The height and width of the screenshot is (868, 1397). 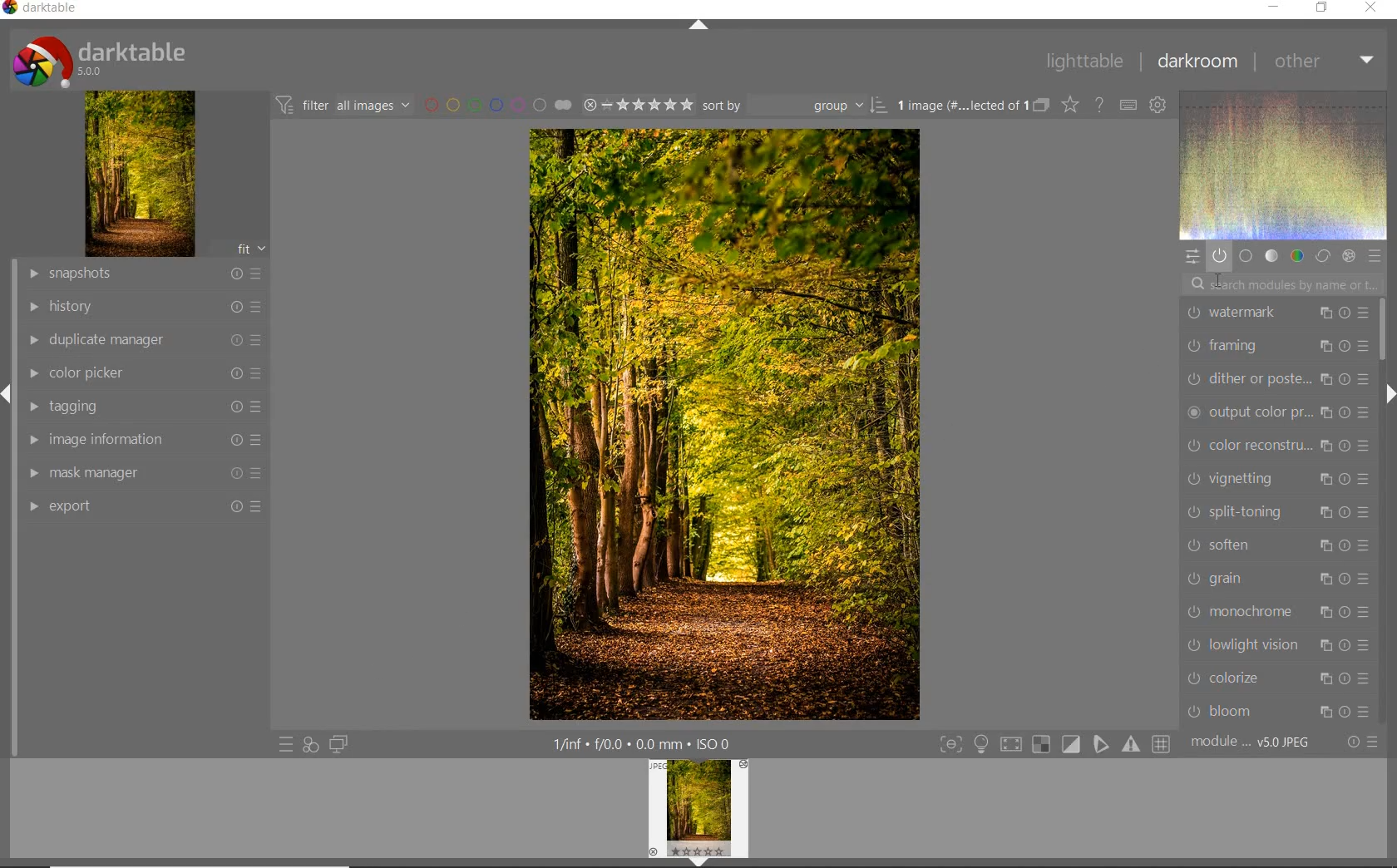 What do you see at coordinates (1051, 744) in the screenshot?
I see `toggle modes` at bounding box center [1051, 744].